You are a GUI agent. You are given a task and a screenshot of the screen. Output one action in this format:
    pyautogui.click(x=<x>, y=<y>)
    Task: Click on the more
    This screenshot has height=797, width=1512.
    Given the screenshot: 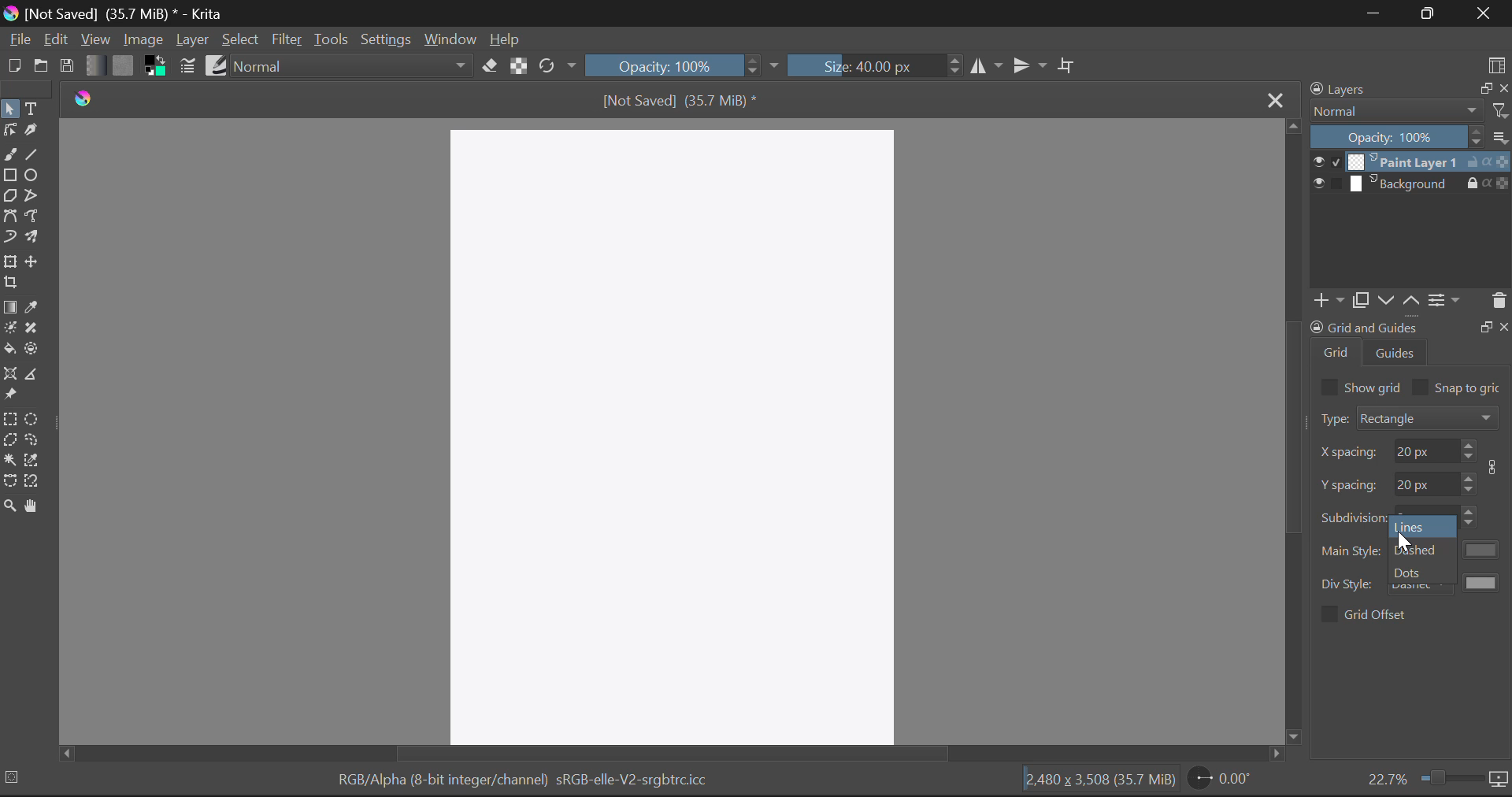 What is the action you would take?
    pyautogui.click(x=1500, y=136)
    